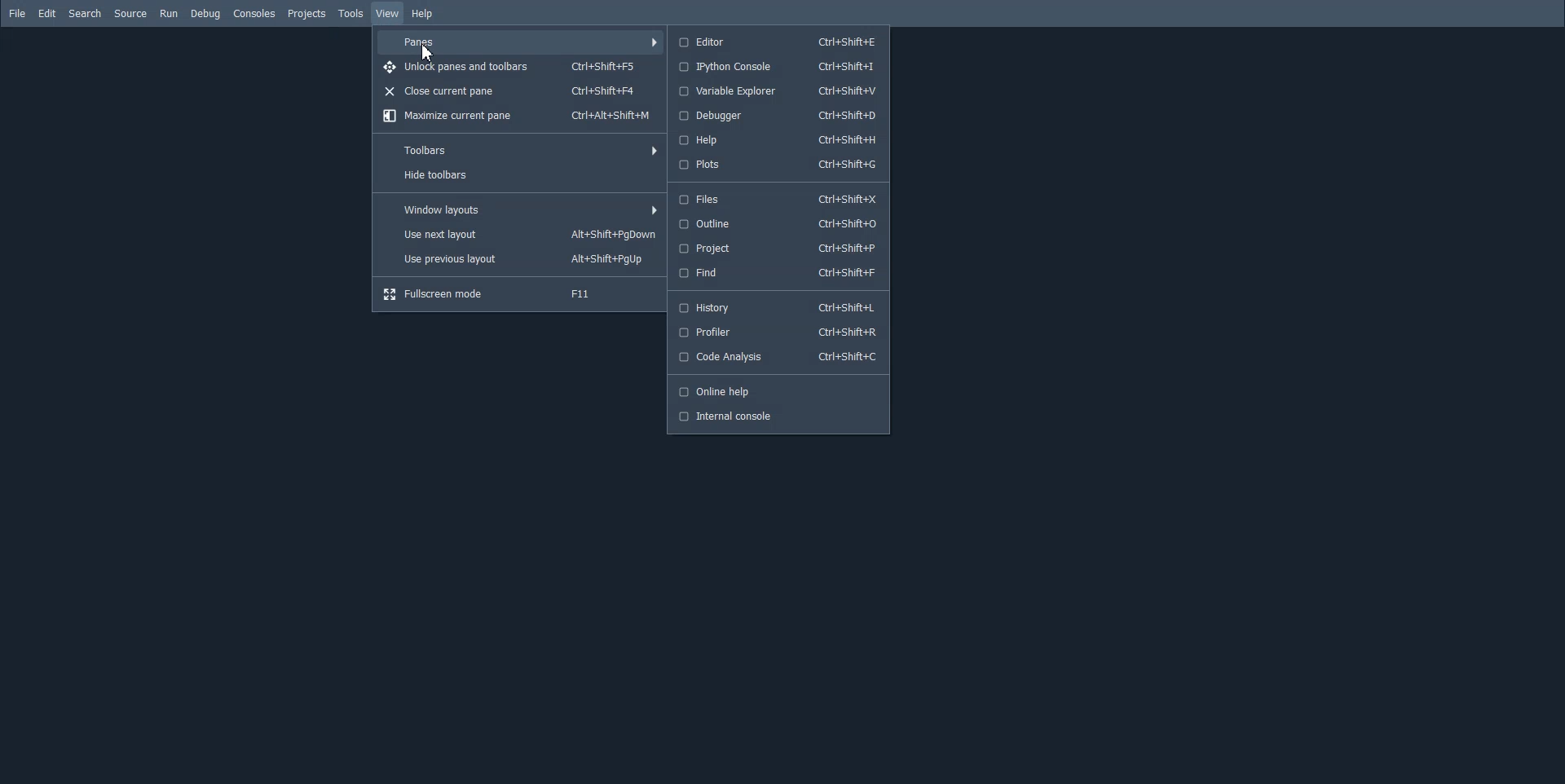 The height and width of the screenshot is (784, 1565). Describe the element at coordinates (778, 332) in the screenshot. I see `Profiler` at that location.